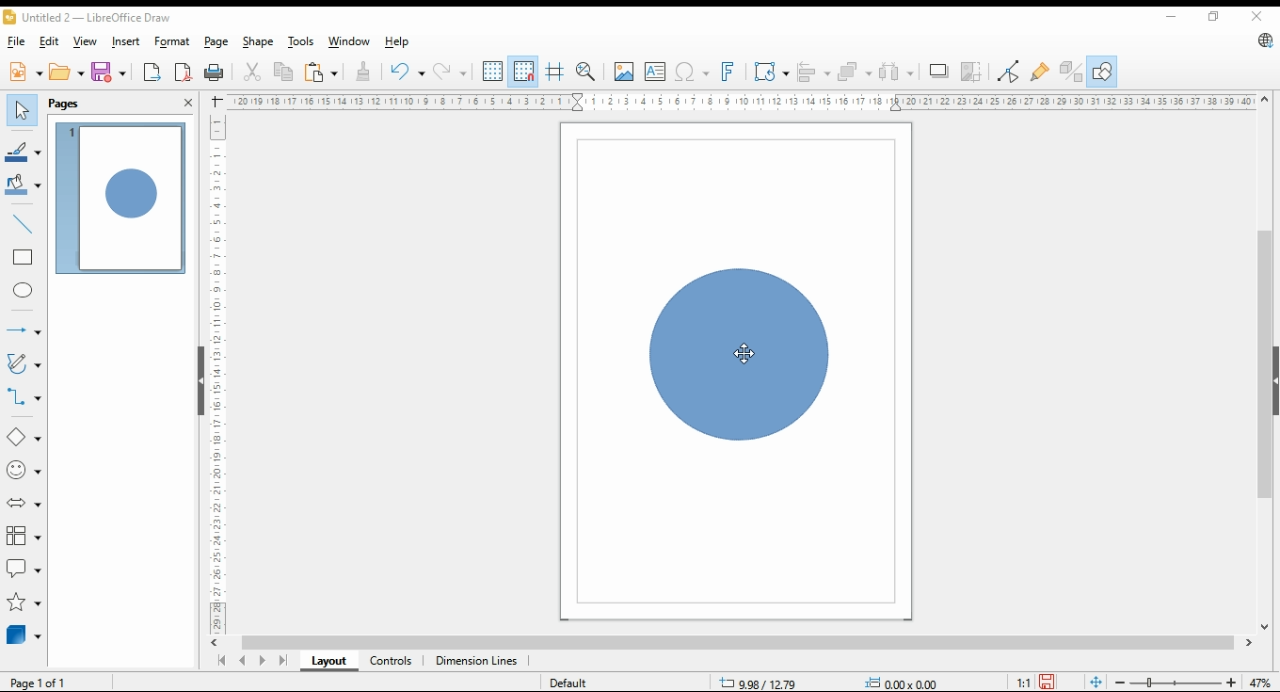 The height and width of the screenshot is (692, 1280). What do you see at coordinates (22, 436) in the screenshot?
I see `simple shapes` at bounding box center [22, 436].